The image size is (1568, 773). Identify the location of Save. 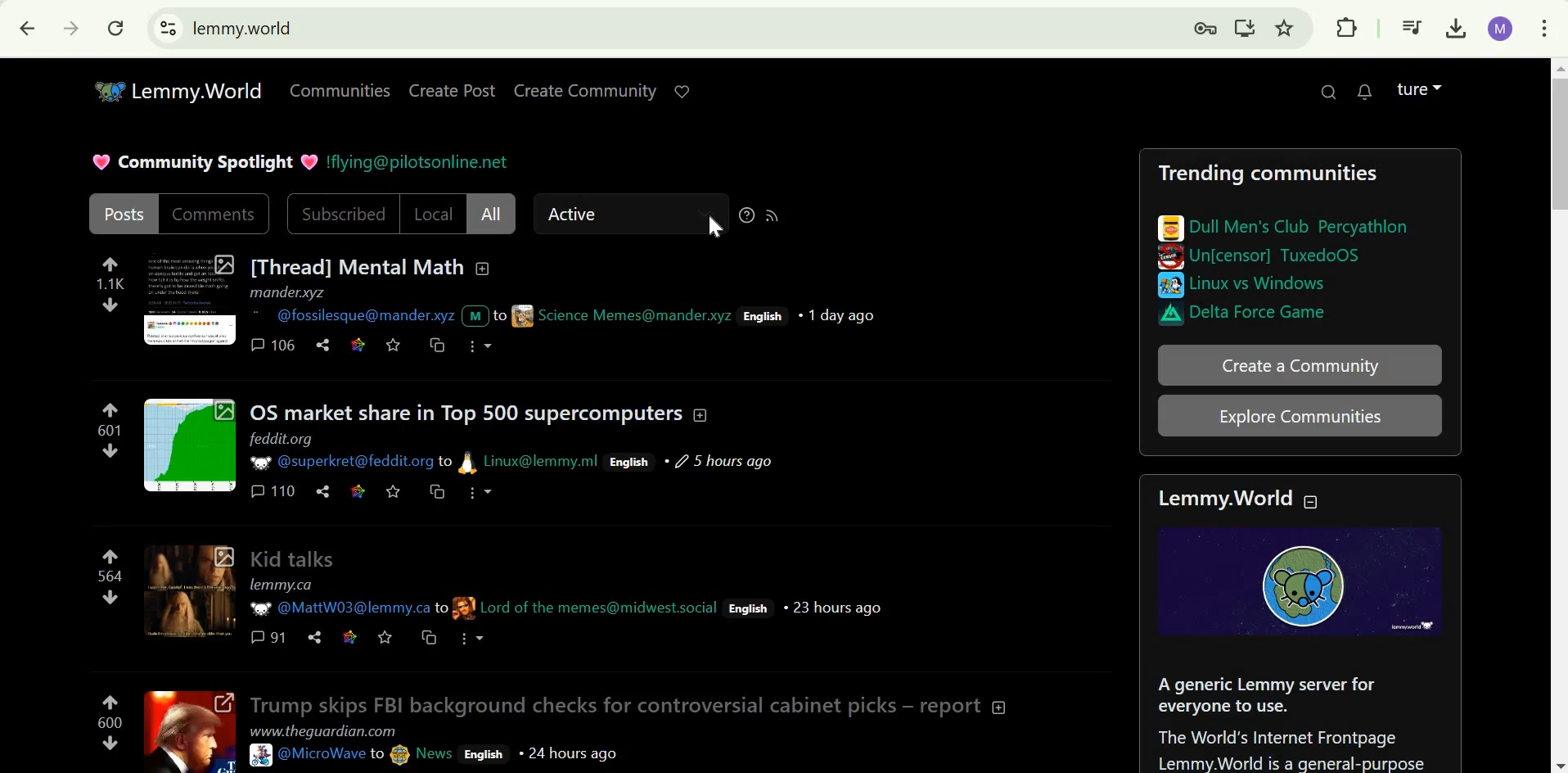
(387, 638).